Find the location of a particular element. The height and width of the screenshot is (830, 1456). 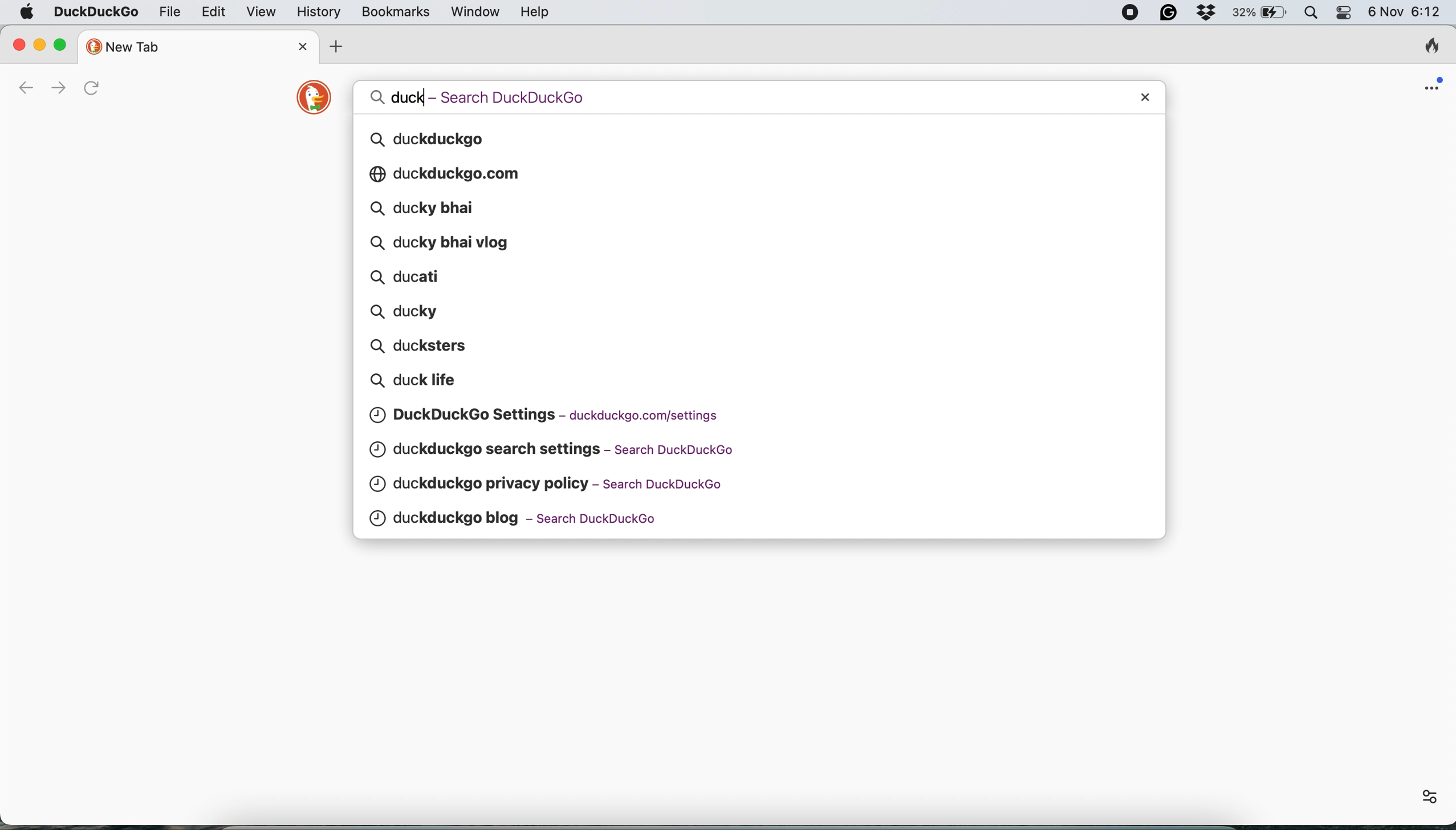

ducky is located at coordinates (407, 311).